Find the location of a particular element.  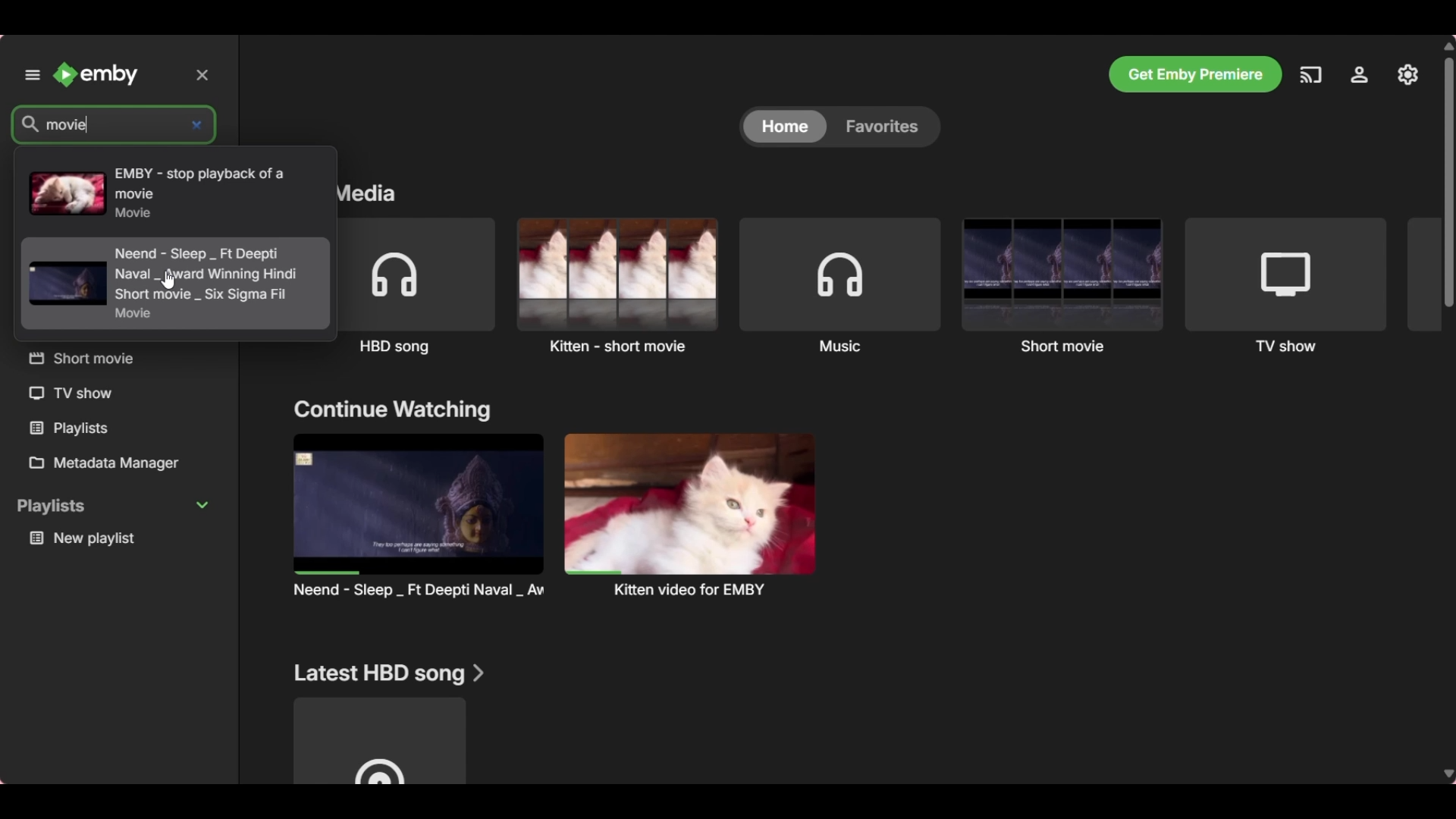

 is located at coordinates (90, 428).